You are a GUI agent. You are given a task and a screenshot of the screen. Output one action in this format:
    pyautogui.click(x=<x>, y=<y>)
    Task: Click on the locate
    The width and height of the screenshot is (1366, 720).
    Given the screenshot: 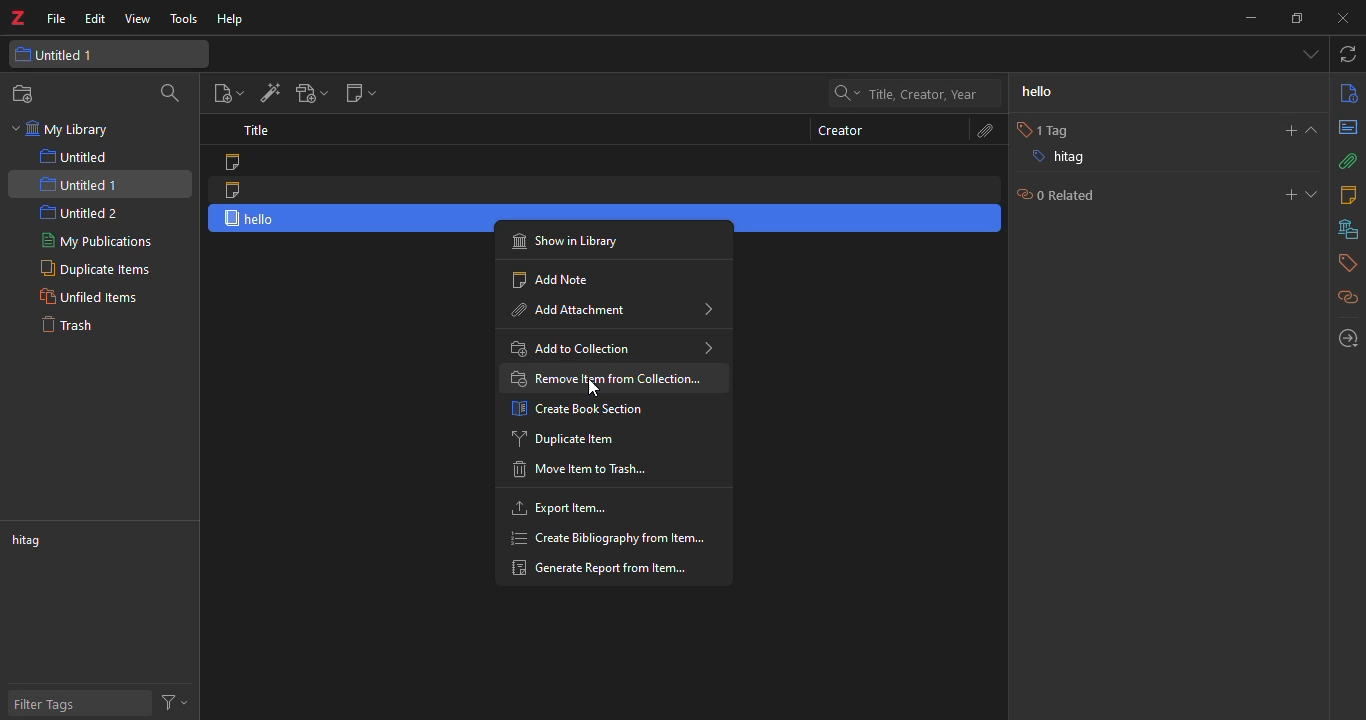 What is the action you would take?
    pyautogui.click(x=1343, y=339)
    